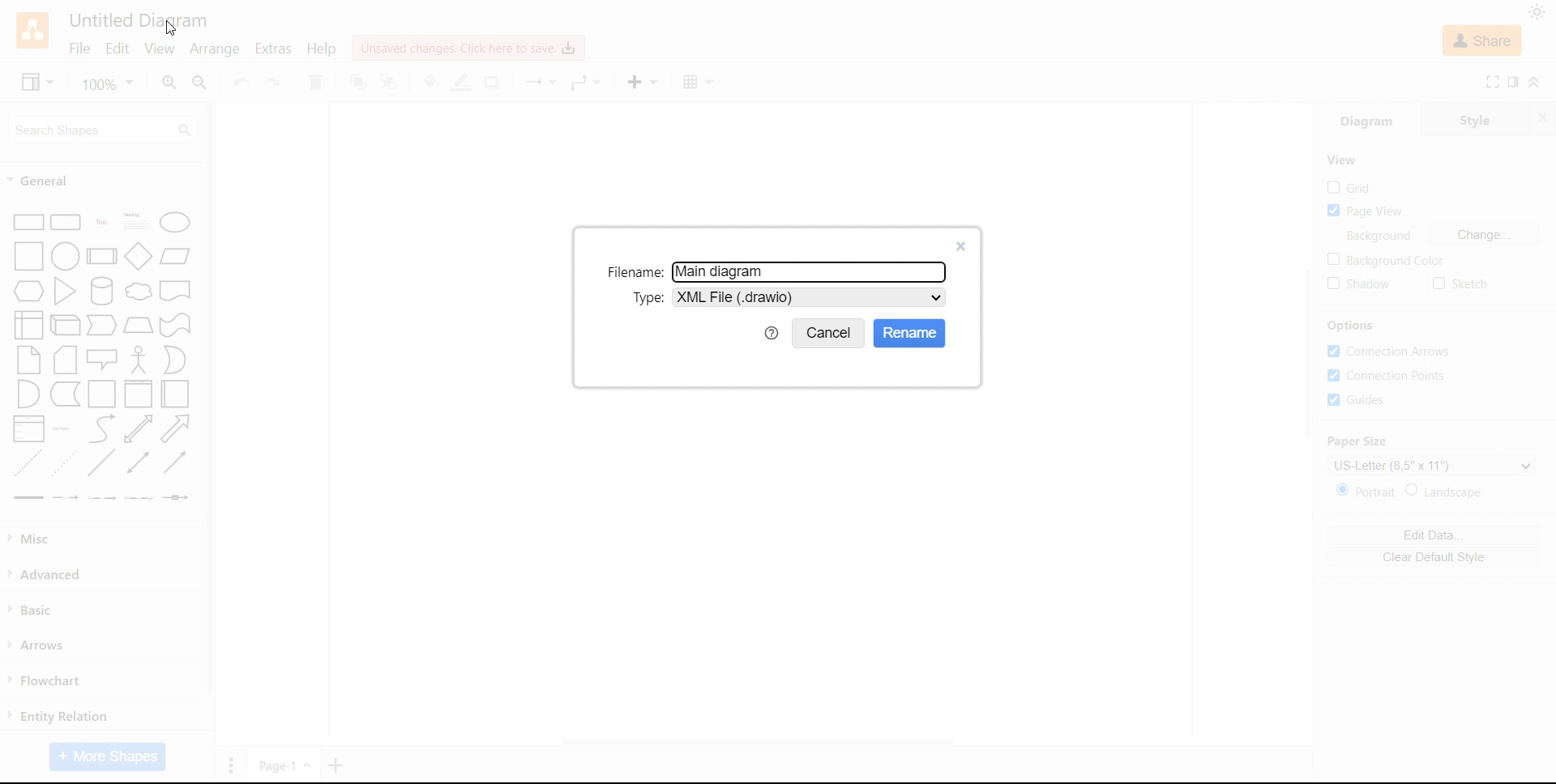 The width and height of the screenshot is (1556, 784). Describe the element at coordinates (1485, 235) in the screenshot. I see `Change background ` at that location.